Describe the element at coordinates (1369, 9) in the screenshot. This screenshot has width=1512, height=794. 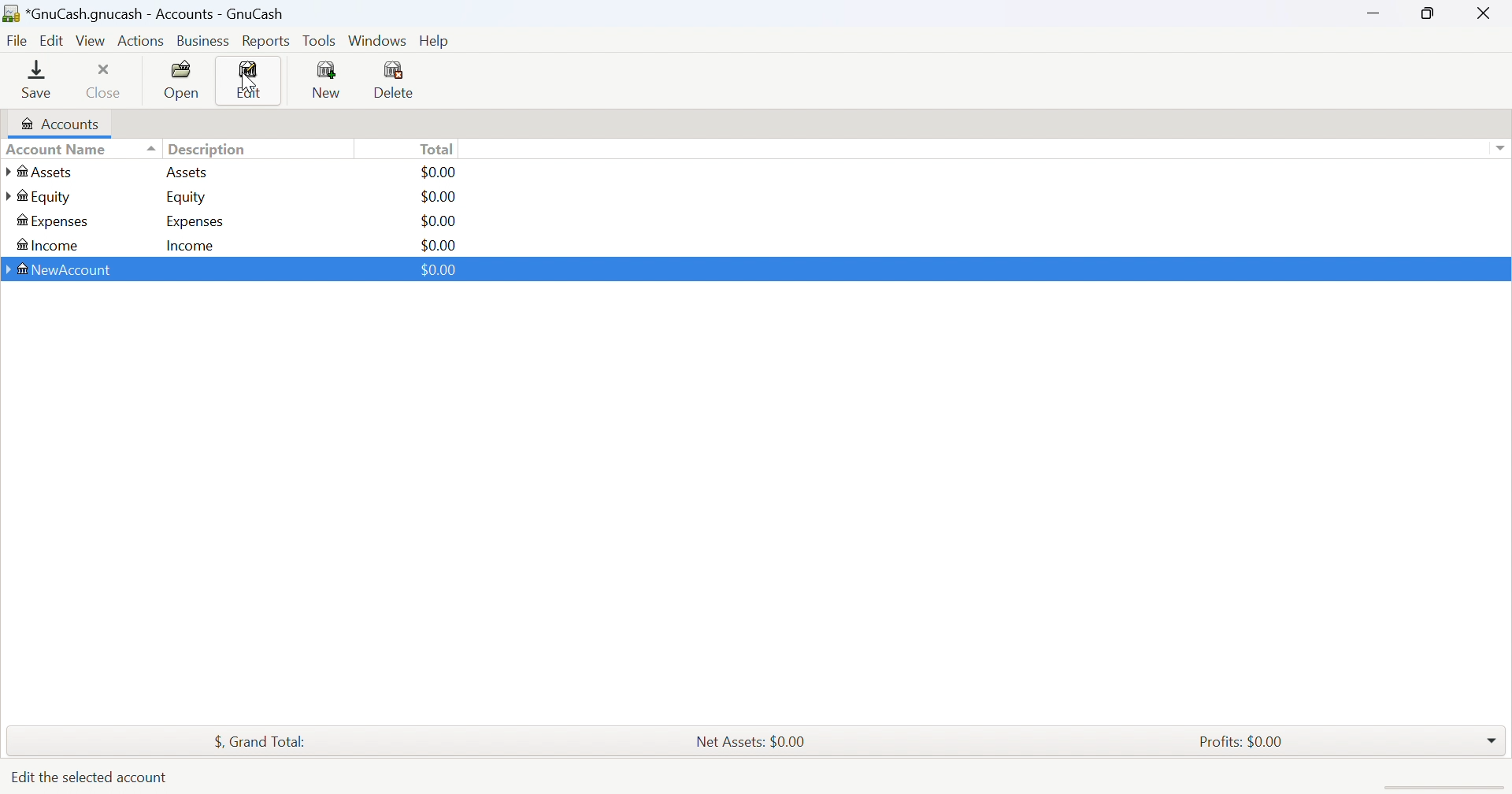
I see `Minimize` at that location.